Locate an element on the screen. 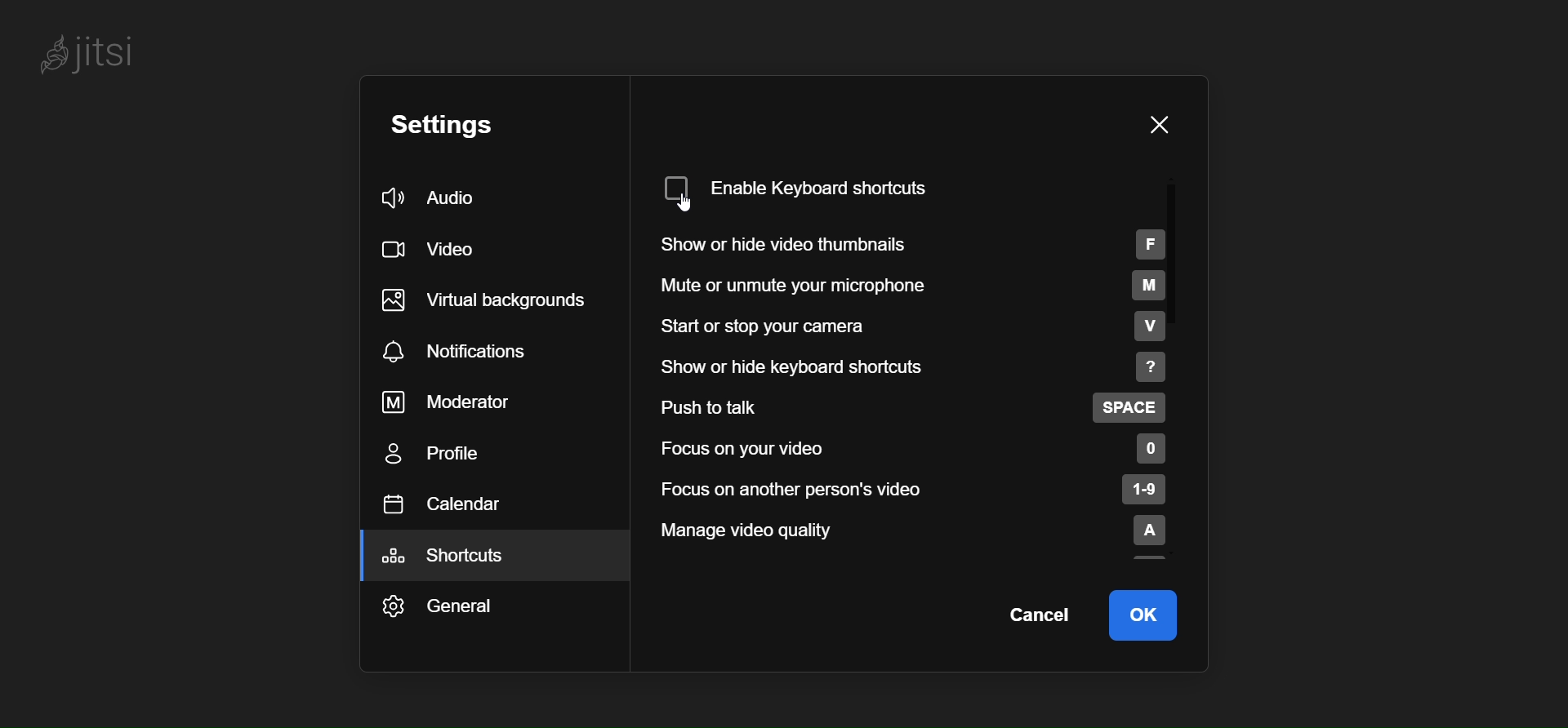  disabled keyboard shortcut is located at coordinates (824, 189).